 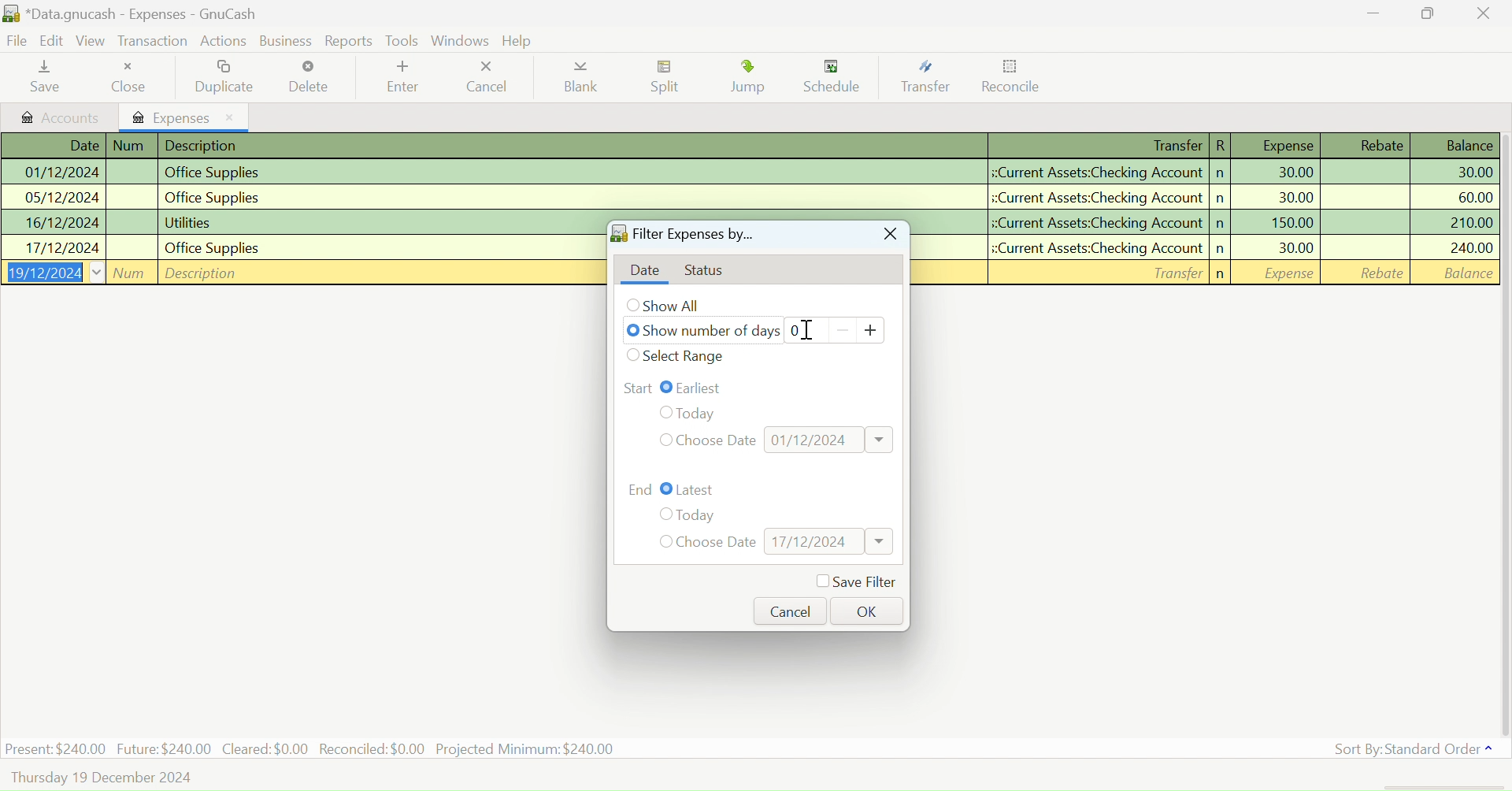 What do you see at coordinates (633, 329) in the screenshot?
I see `Checkbox` at bounding box center [633, 329].